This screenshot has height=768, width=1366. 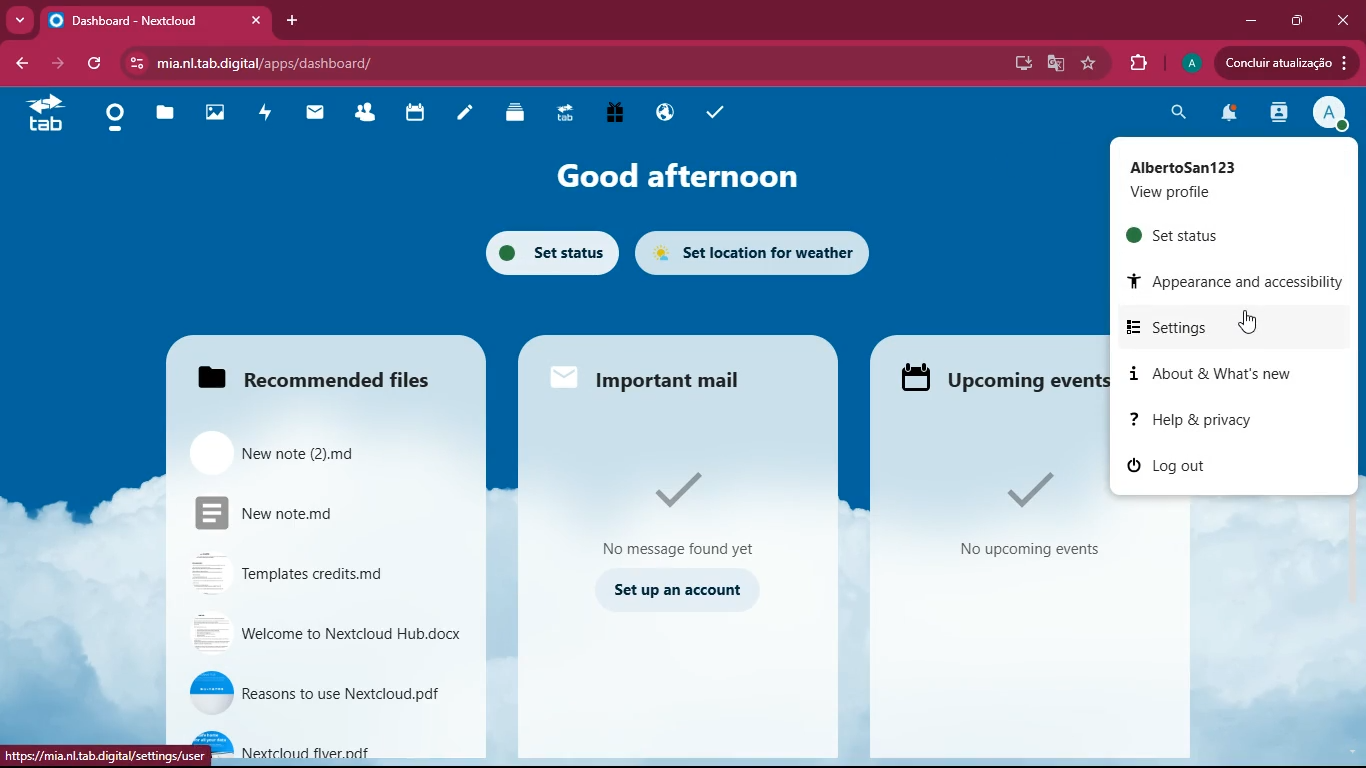 What do you see at coordinates (25, 63) in the screenshot?
I see `back` at bounding box center [25, 63].